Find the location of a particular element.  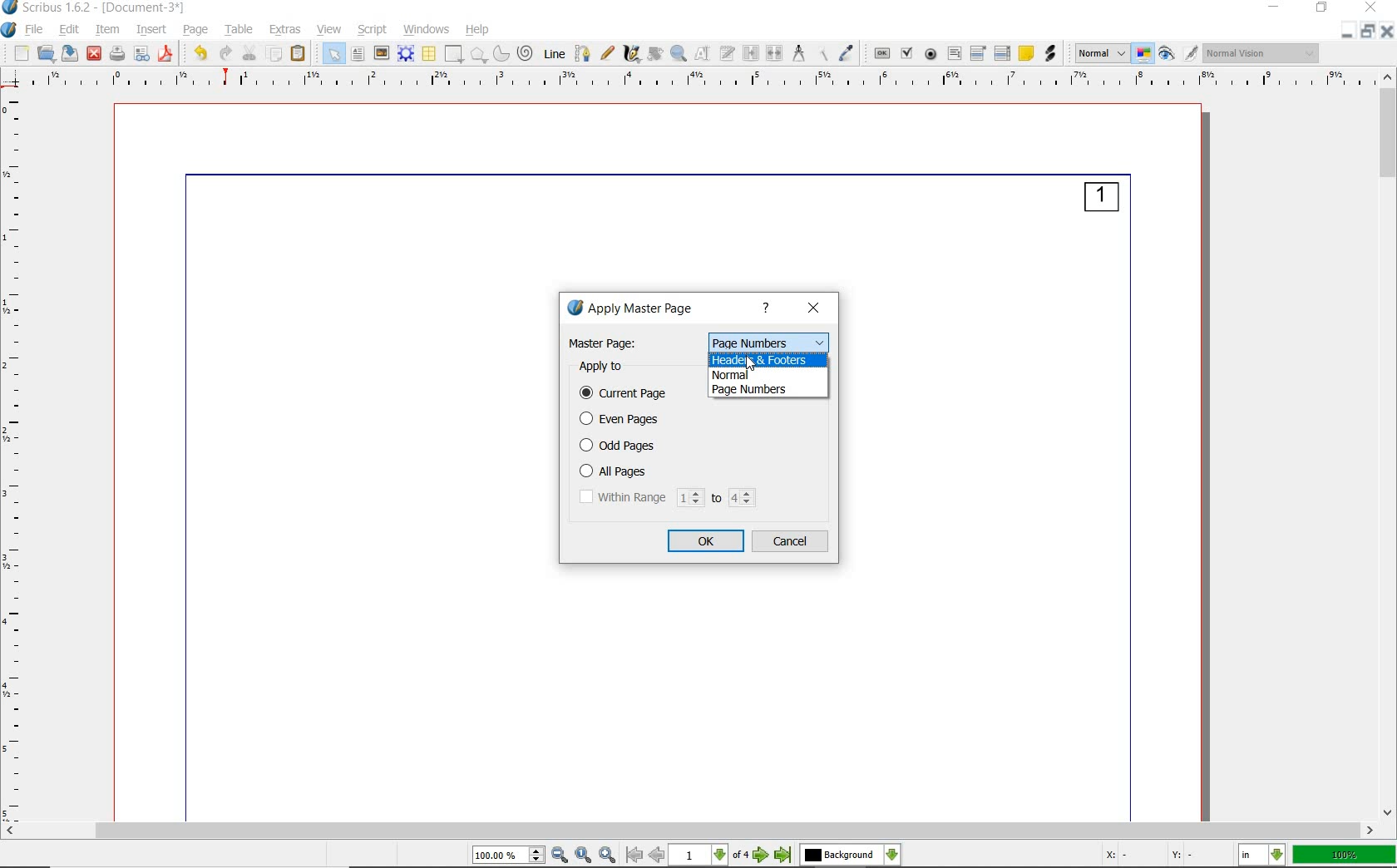

calligraphic line is located at coordinates (632, 55).